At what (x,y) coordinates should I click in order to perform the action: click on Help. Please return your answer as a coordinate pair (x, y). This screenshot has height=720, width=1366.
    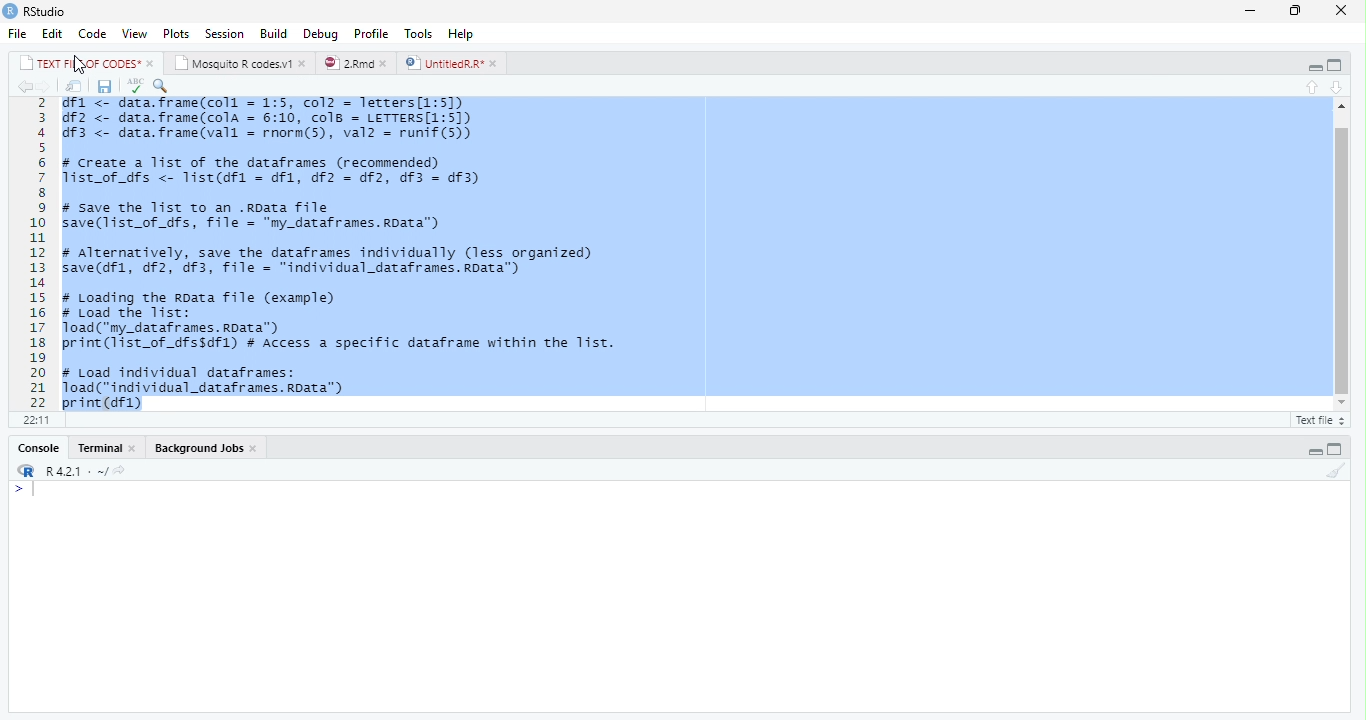
    Looking at the image, I should click on (462, 34).